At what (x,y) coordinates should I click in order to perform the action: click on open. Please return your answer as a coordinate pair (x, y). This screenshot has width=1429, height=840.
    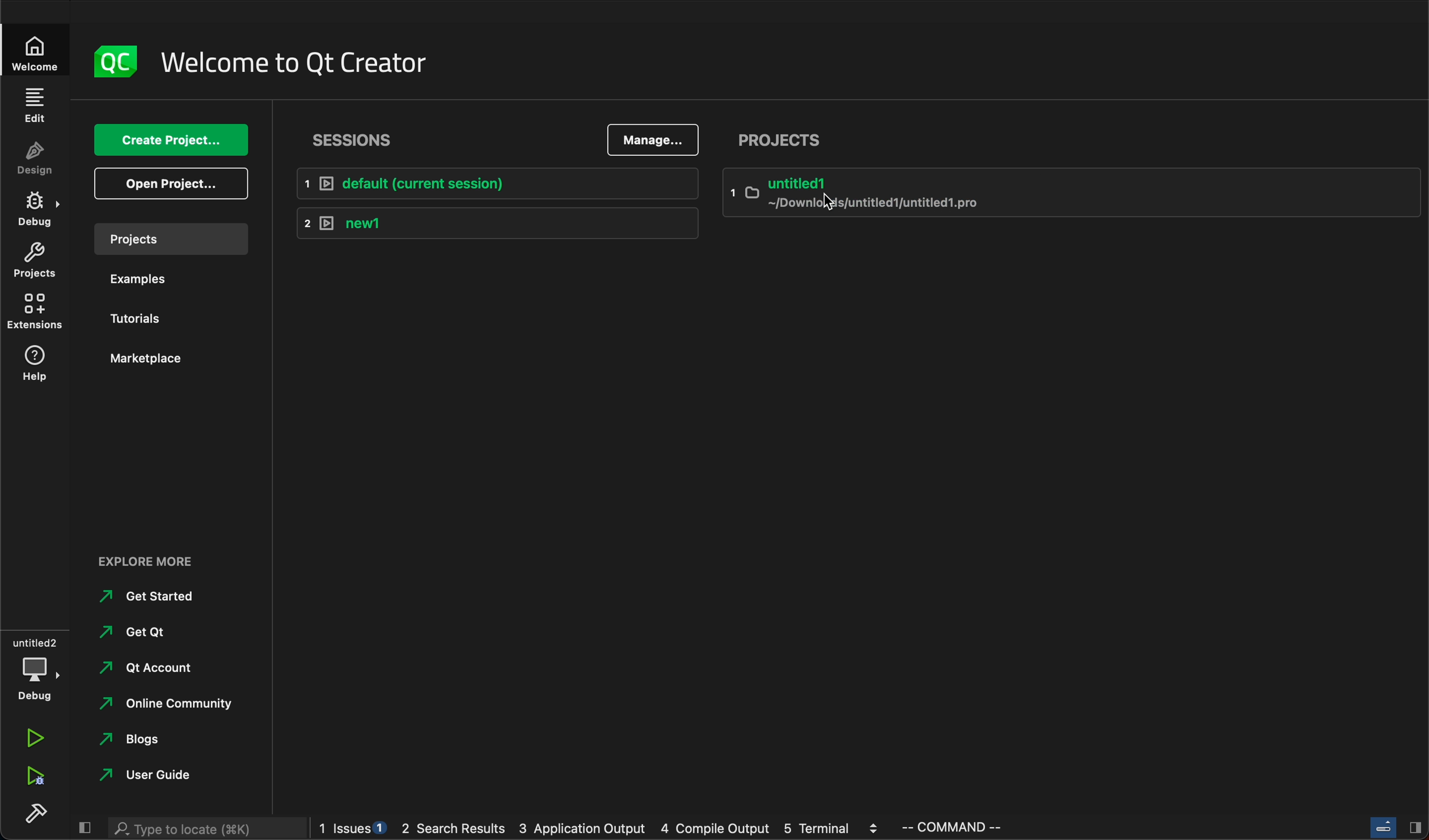
    Looking at the image, I should click on (173, 184).